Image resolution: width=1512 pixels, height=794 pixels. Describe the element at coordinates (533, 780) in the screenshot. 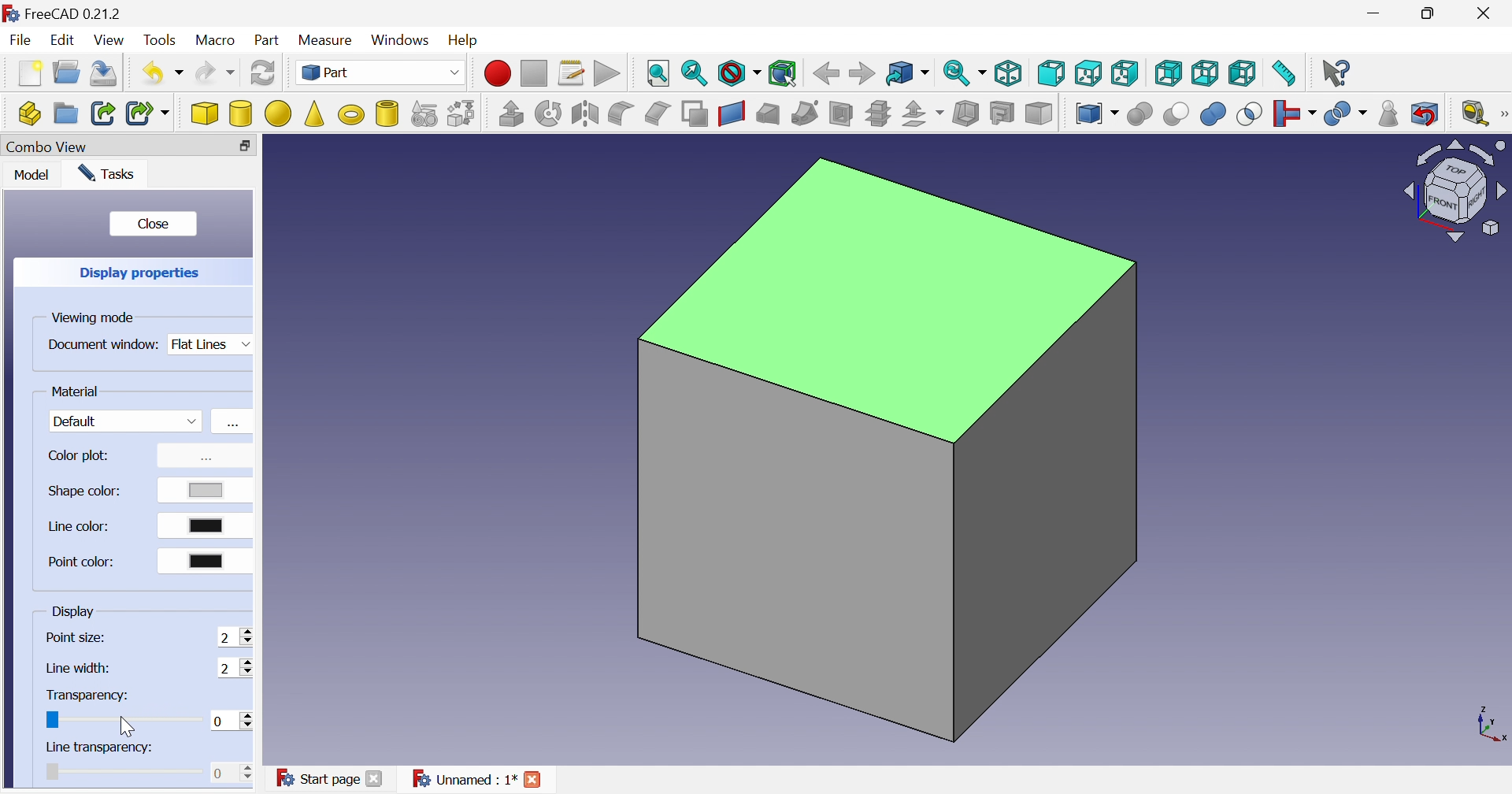

I see `Close` at that location.